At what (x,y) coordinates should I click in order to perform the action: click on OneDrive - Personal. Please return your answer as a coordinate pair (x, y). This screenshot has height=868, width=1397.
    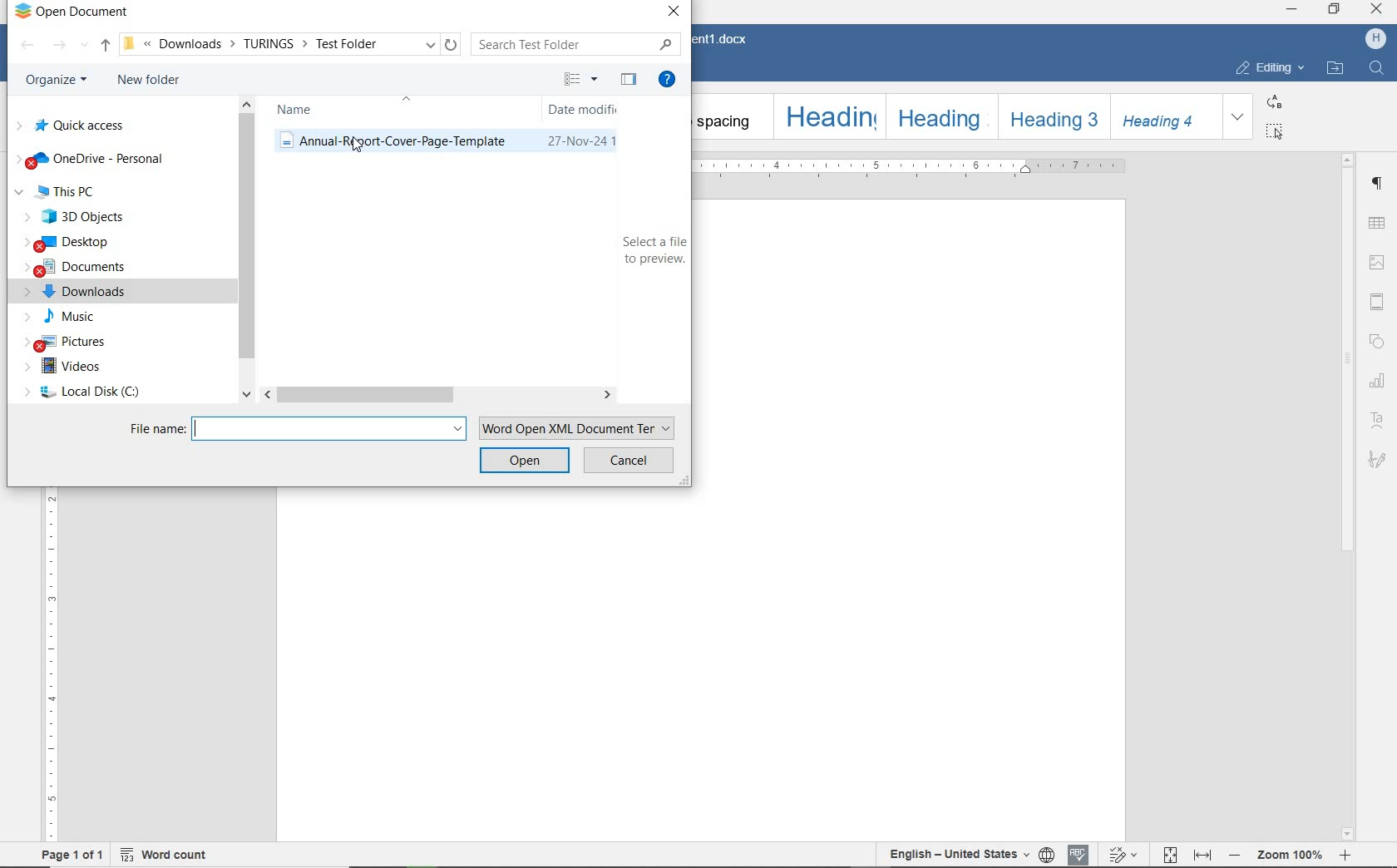
    Looking at the image, I should click on (93, 160).